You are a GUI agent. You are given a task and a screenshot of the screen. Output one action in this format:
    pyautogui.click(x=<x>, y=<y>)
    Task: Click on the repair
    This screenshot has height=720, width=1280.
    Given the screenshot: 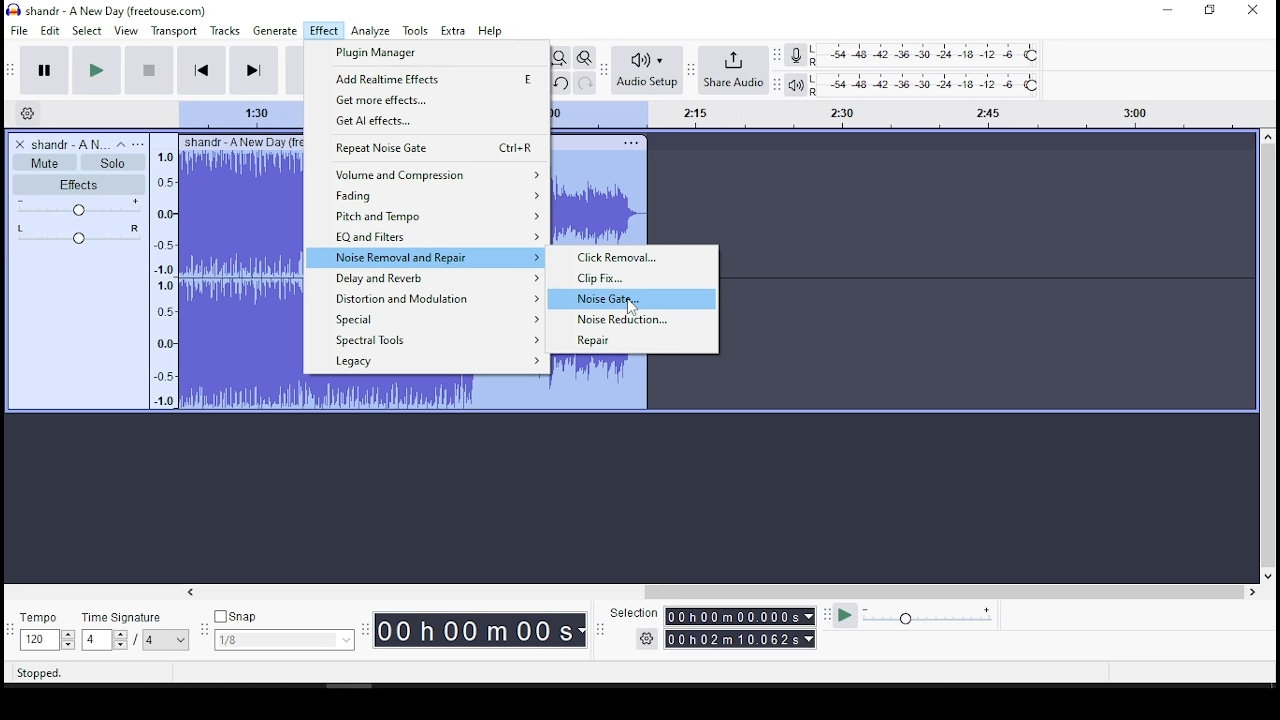 What is the action you would take?
    pyautogui.click(x=637, y=342)
    